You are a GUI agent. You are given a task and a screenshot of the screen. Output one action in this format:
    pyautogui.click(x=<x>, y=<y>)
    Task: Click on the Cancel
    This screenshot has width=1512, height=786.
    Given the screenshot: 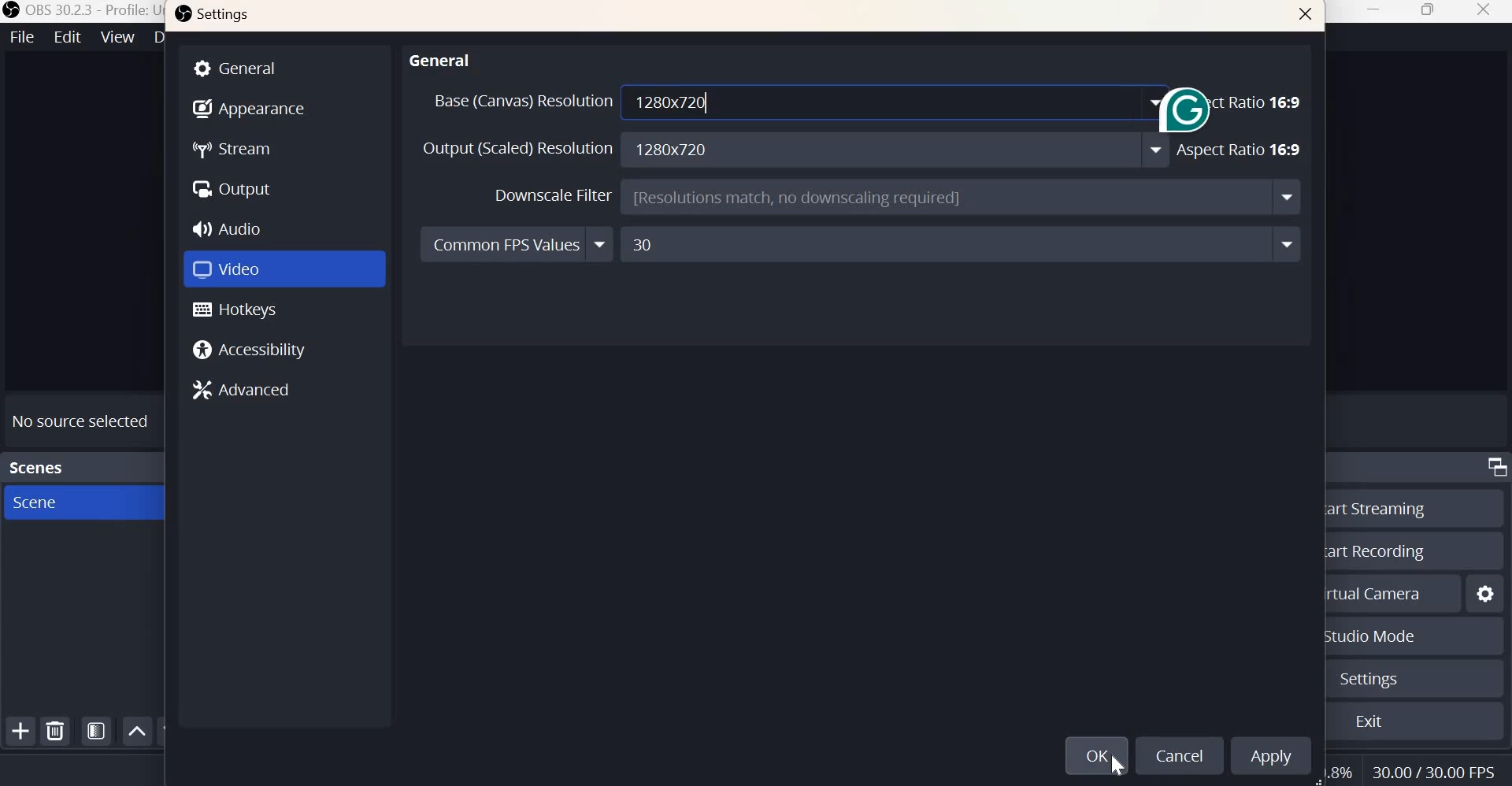 What is the action you would take?
    pyautogui.click(x=1177, y=754)
    